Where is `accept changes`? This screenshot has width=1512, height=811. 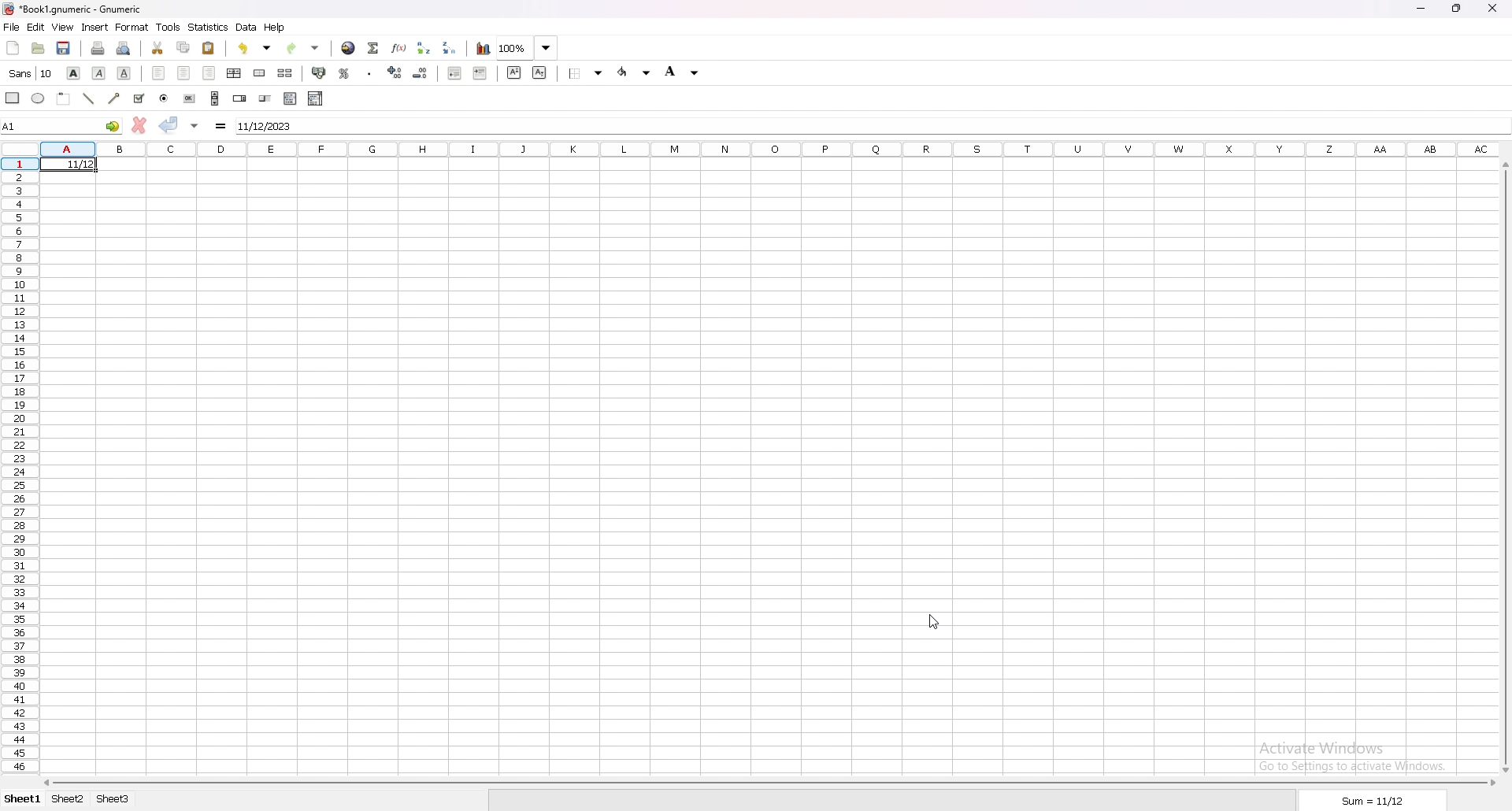 accept changes is located at coordinates (168, 124).